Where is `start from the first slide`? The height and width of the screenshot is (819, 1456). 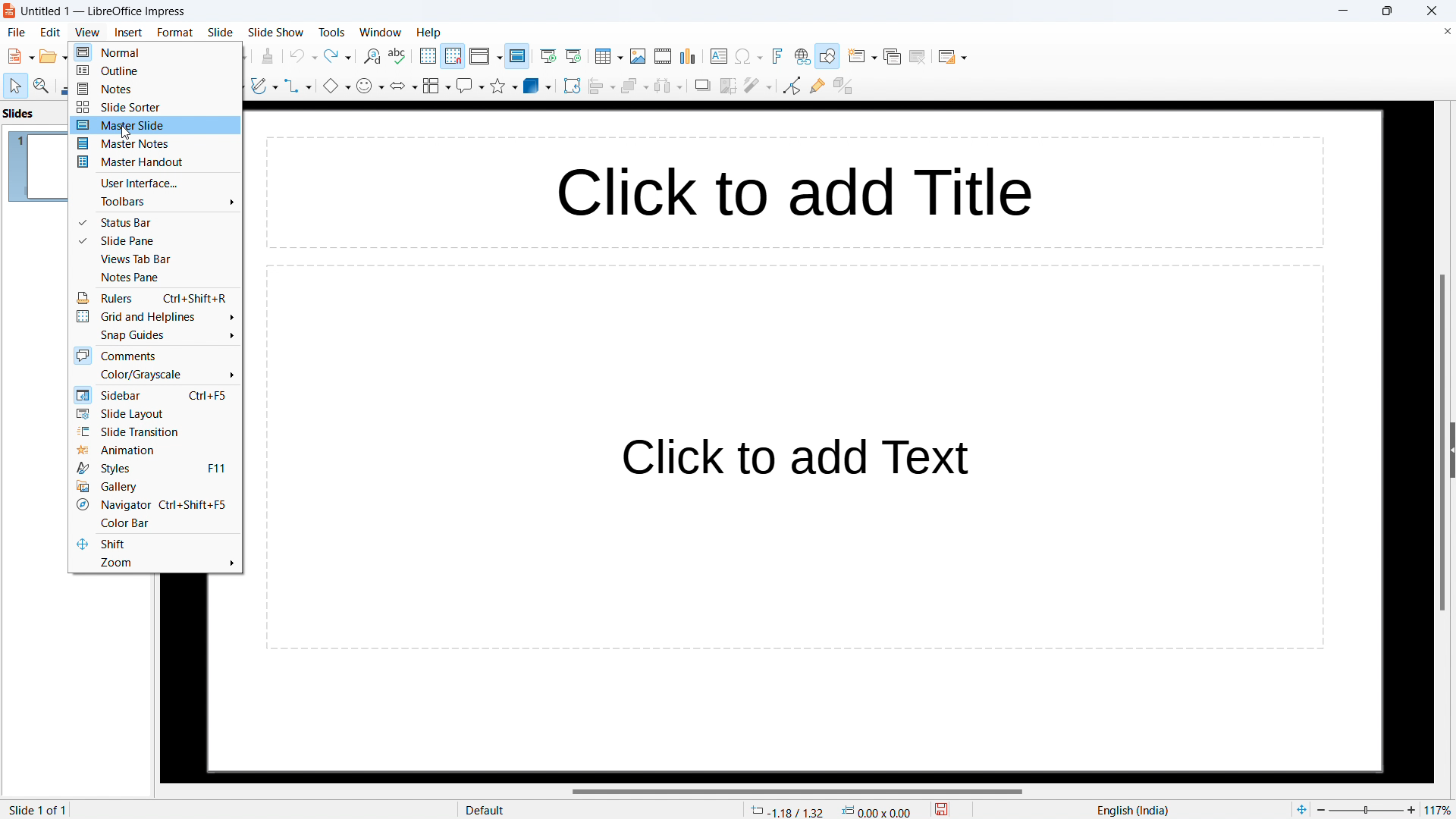 start from the first slide is located at coordinates (549, 57).